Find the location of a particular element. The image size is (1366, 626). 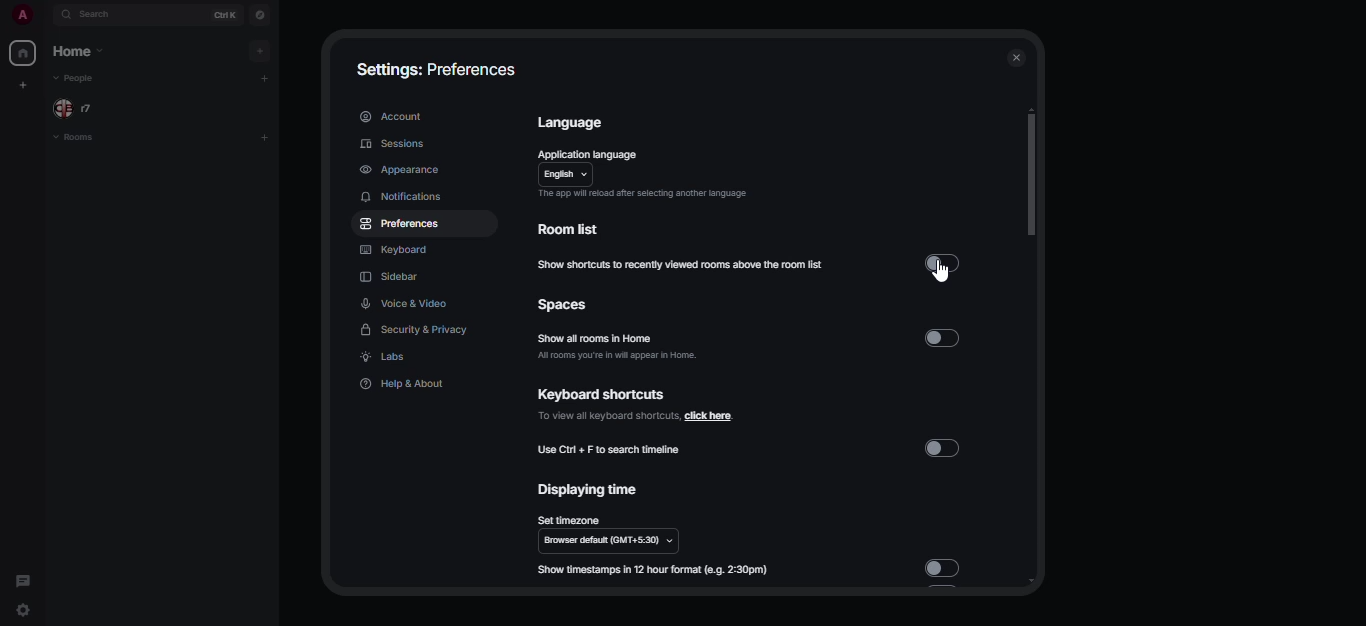

app will reload is located at coordinates (644, 194).